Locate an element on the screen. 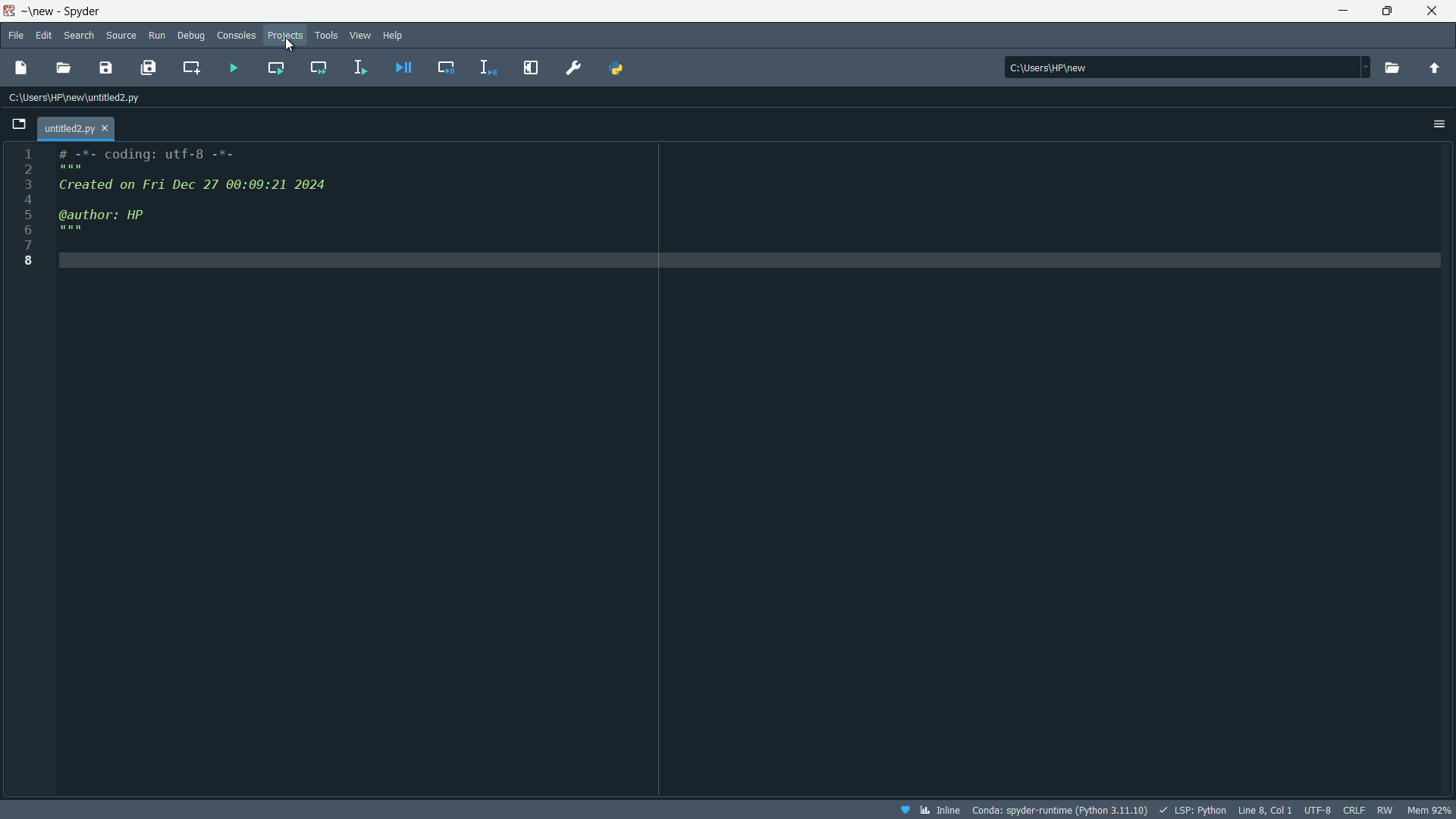  app icon is located at coordinates (8, 11).